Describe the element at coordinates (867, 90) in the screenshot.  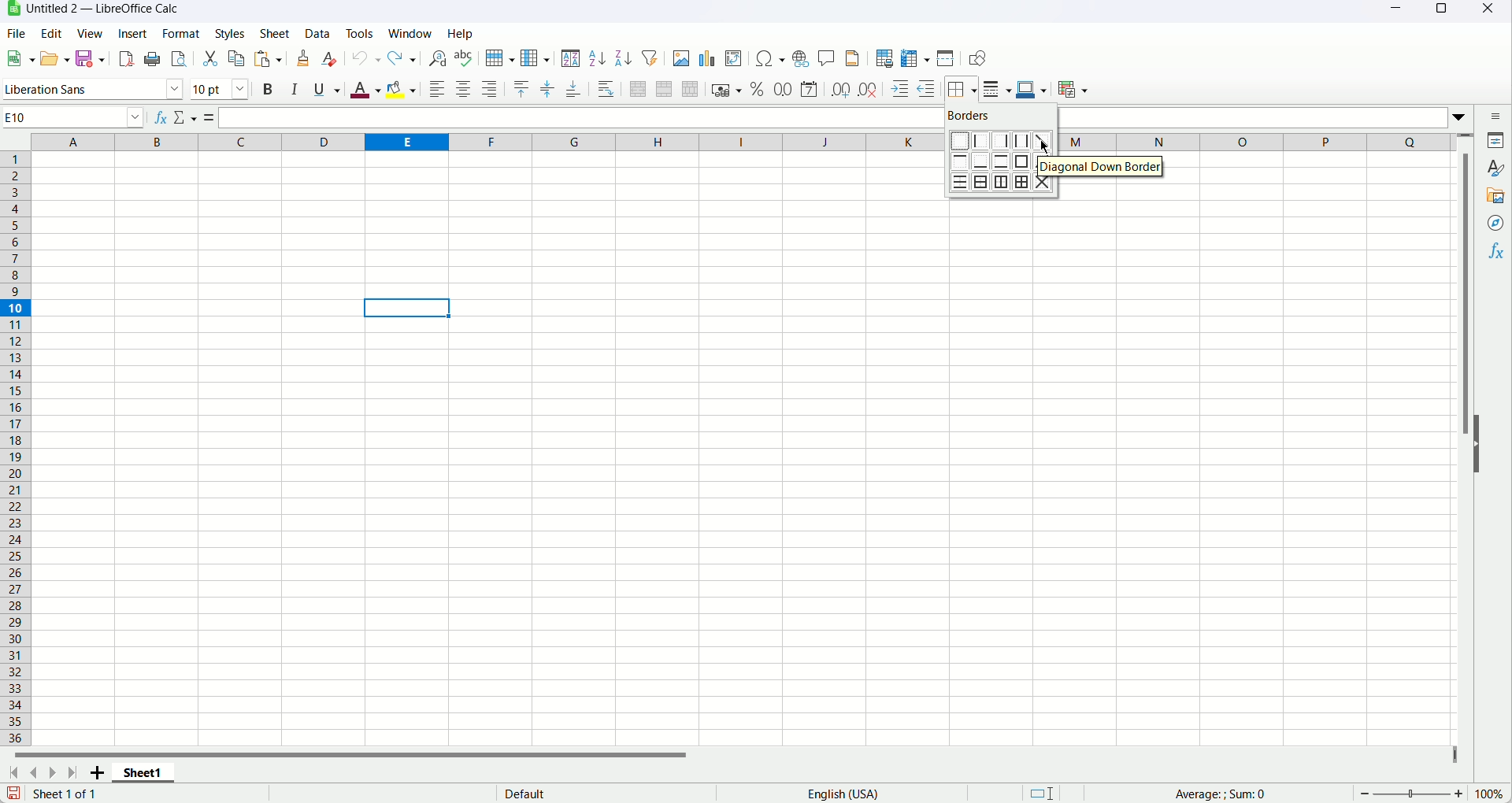
I see `remove decimal place` at that location.